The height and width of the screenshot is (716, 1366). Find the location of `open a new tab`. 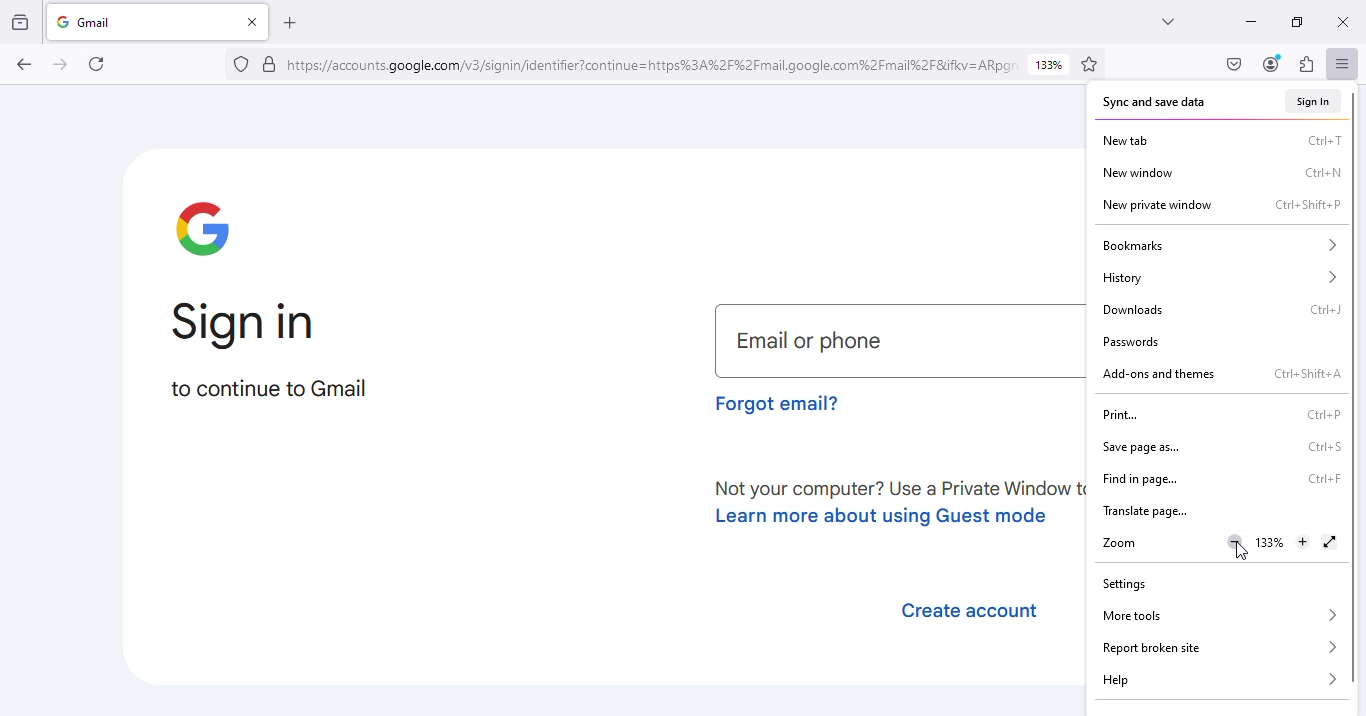

open a new tab is located at coordinates (289, 23).